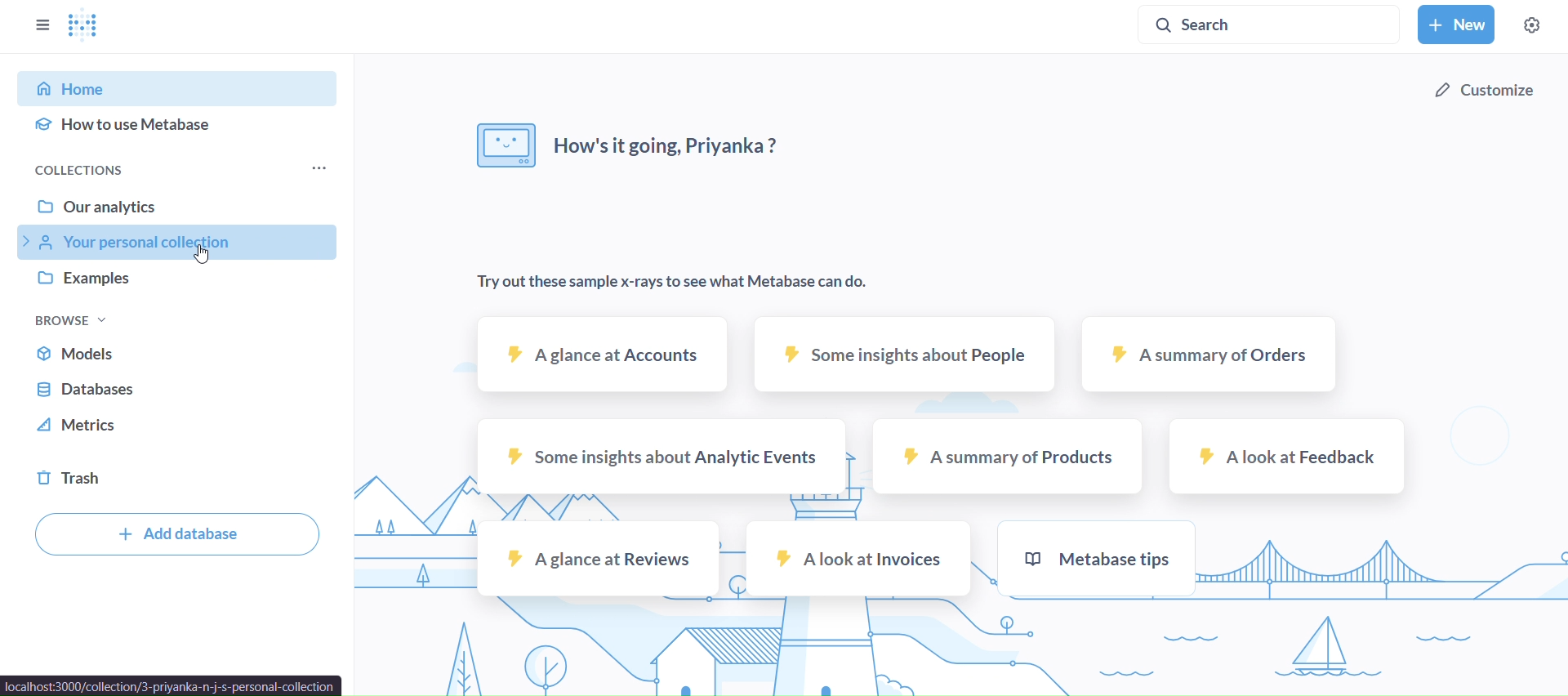  Describe the element at coordinates (906, 355) in the screenshot. I see `some insights about people` at that location.